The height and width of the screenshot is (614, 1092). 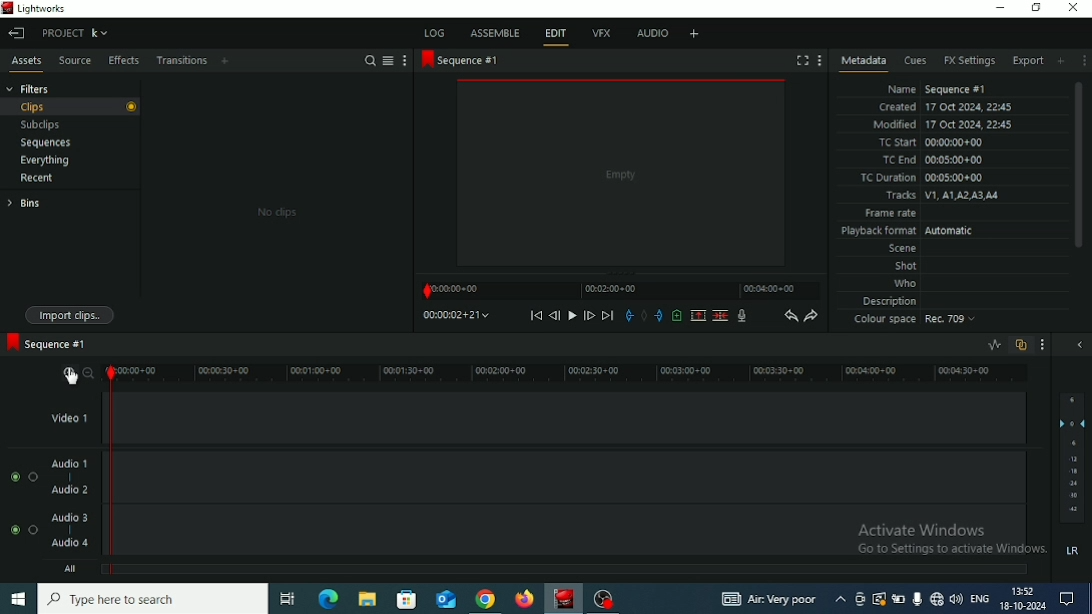 I want to click on Audio 3, so click(x=71, y=516).